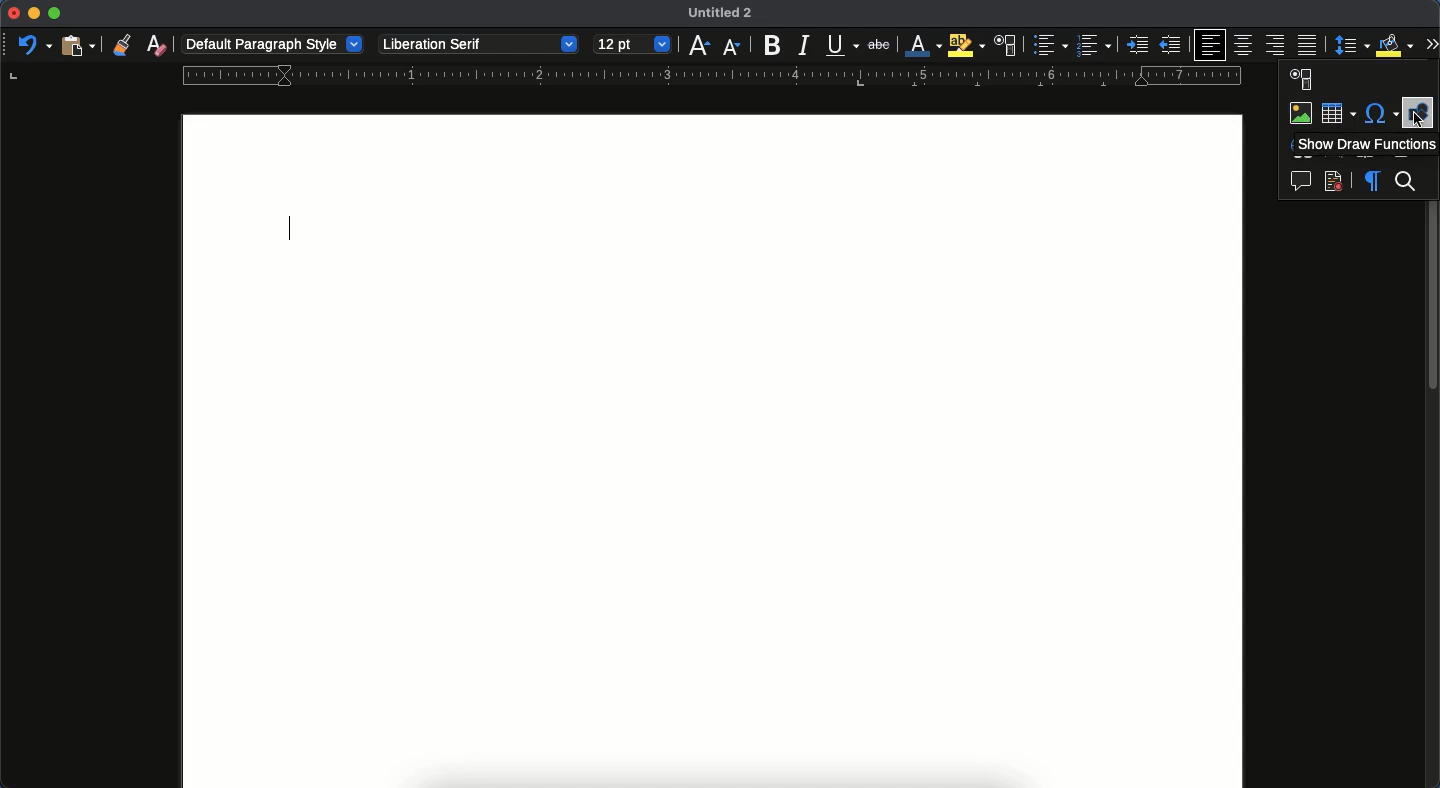 This screenshot has width=1440, height=788. Describe the element at coordinates (121, 45) in the screenshot. I see `clone formatting` at that location.